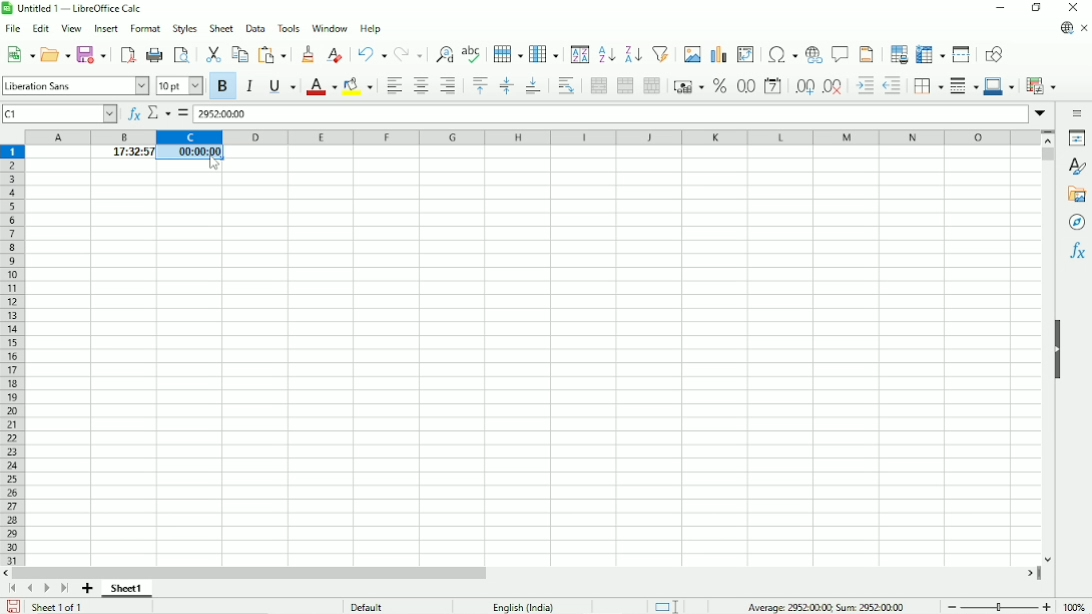  I want to click on Show draw functions, so click(994, 54).